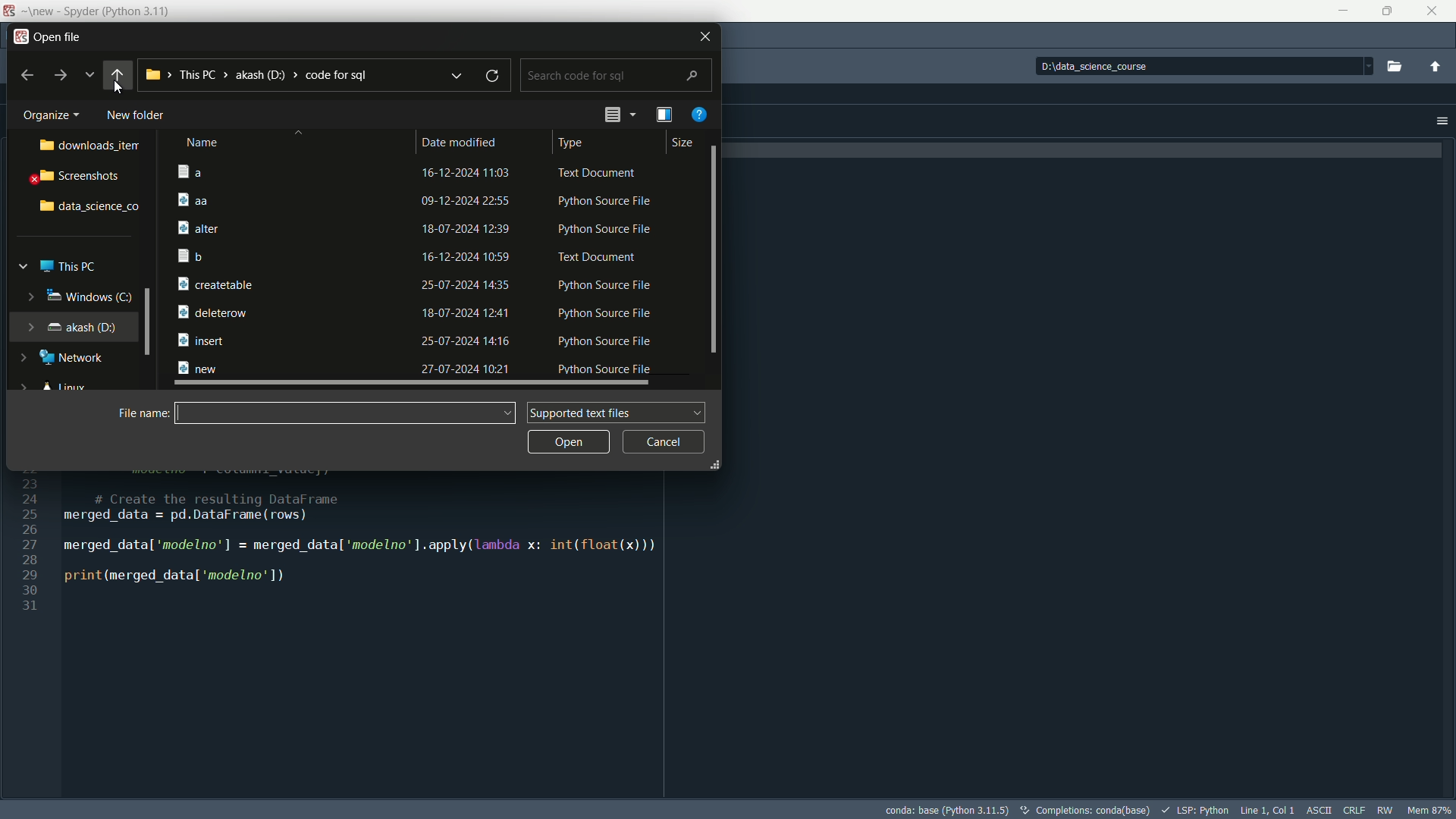  I want to click on 25-07-2024 14:16 Python Source File, so click(538, 341).